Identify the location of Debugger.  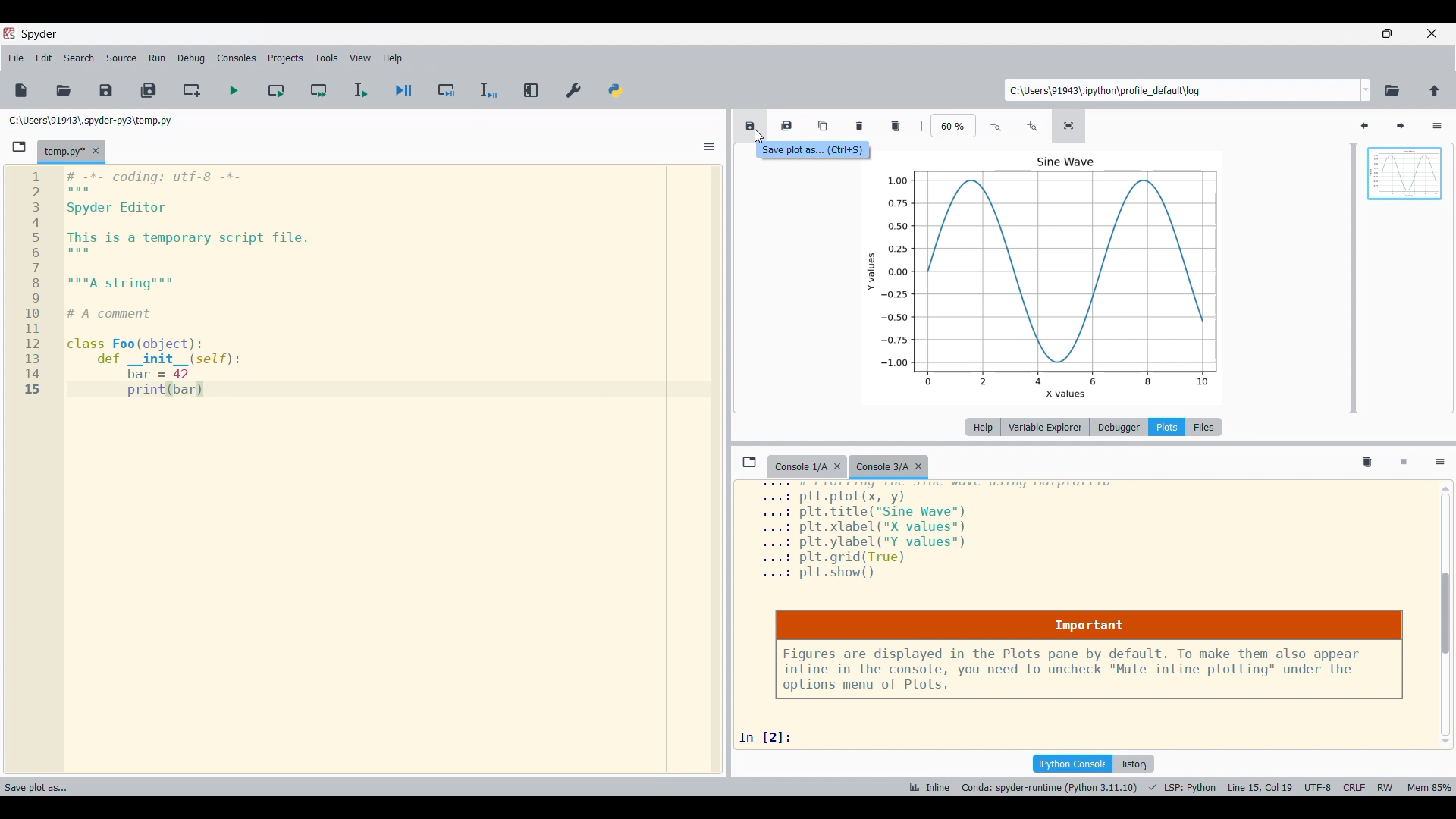
(1119, 427).